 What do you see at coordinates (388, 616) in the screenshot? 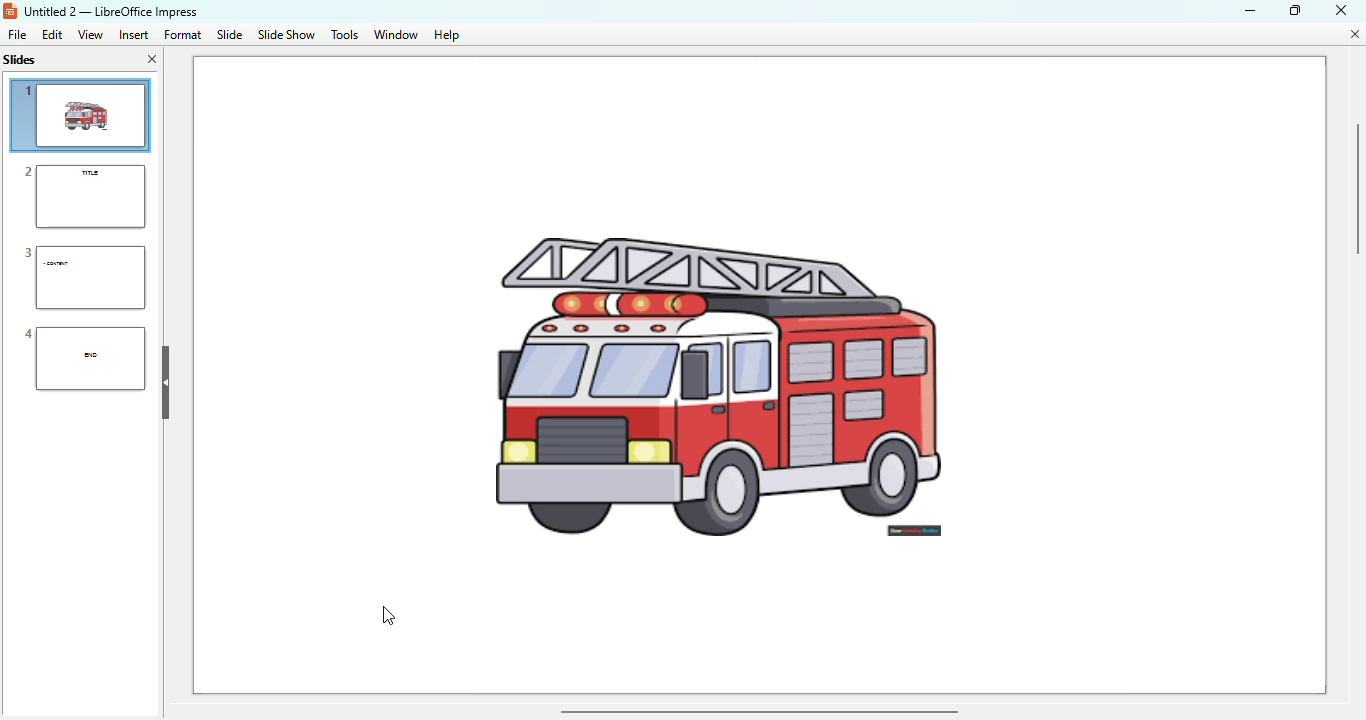
I see `cursor` at bounding box center [388, 616].